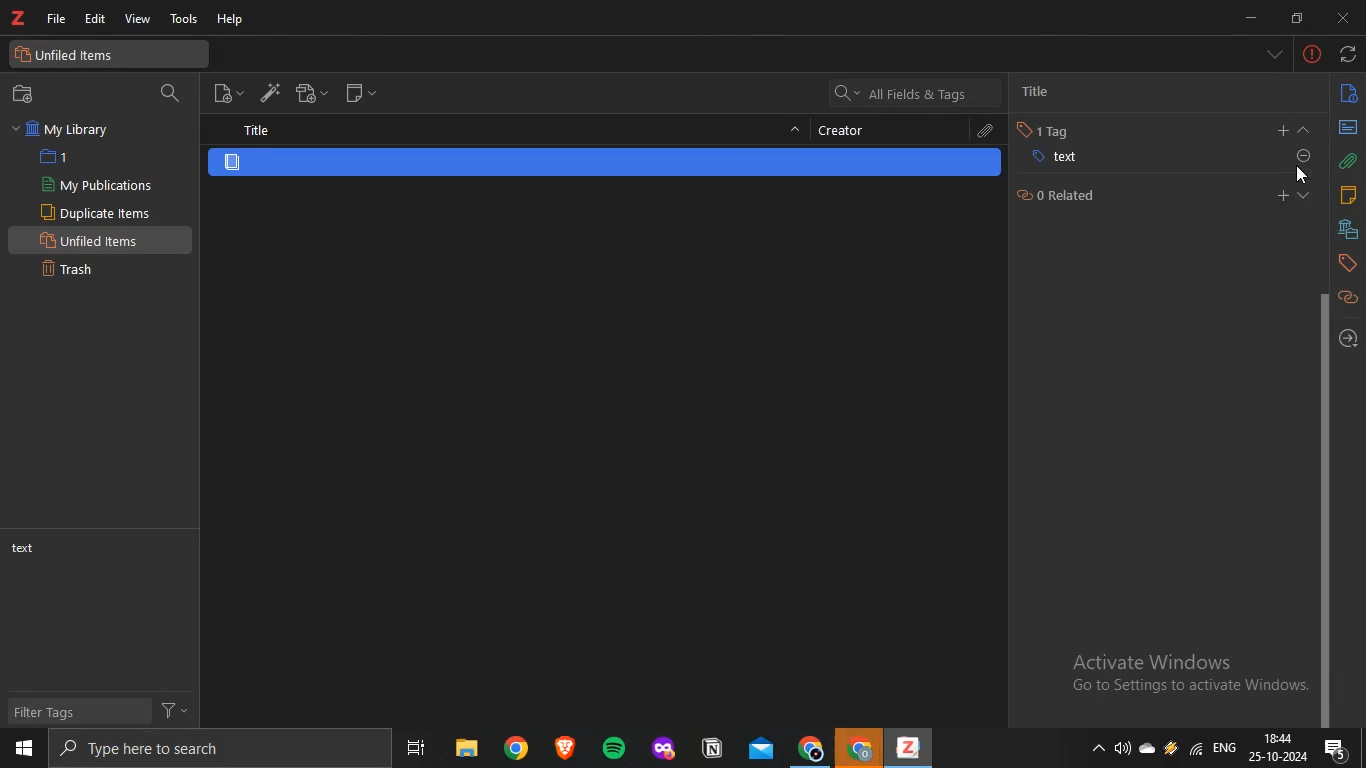 The height and width of the screenshot is (768, 1366). What do you see at coordinates (102, 240) in the screenshot?
I see `unfiled items` at bounding box center [102, 240].